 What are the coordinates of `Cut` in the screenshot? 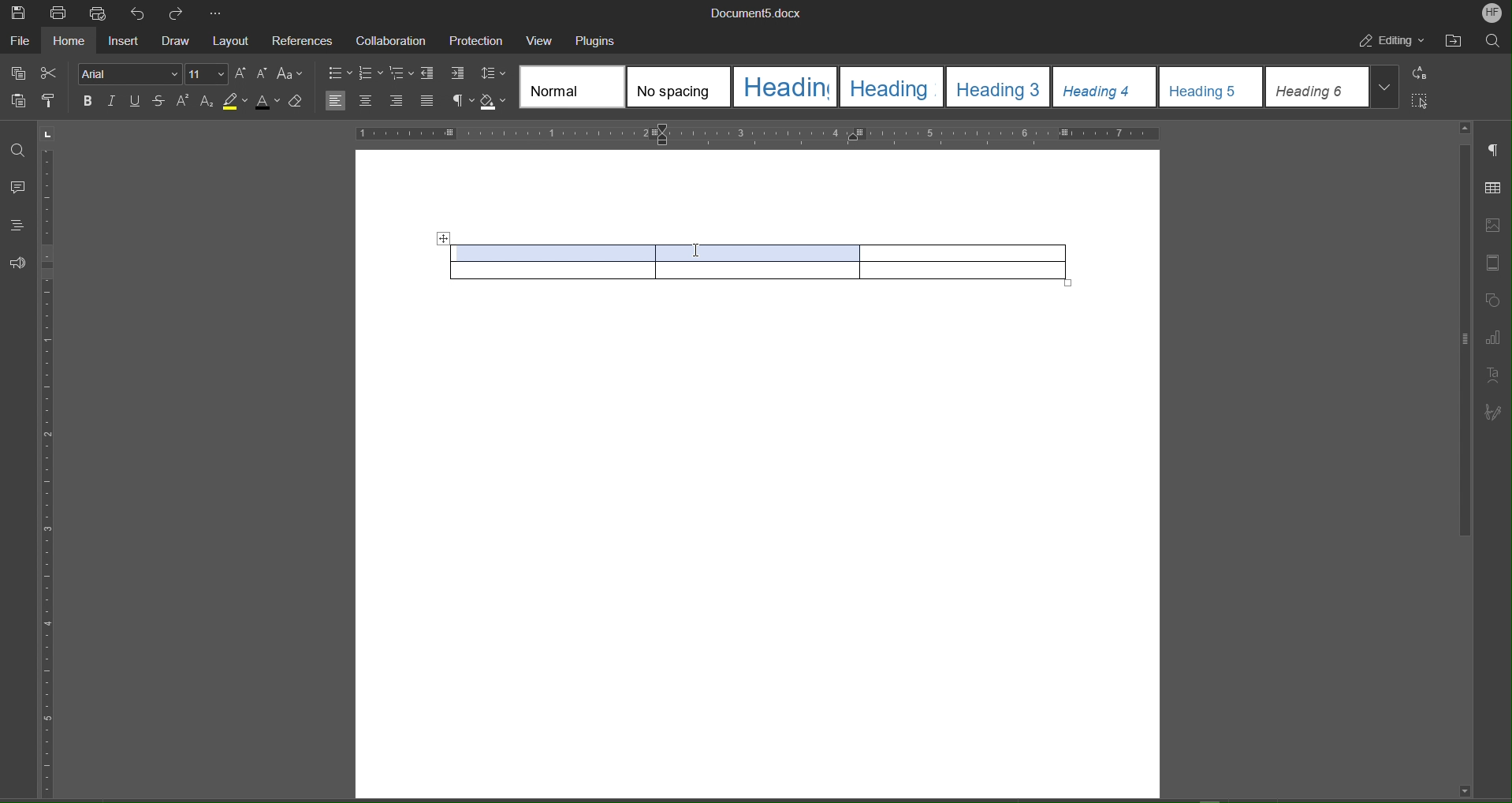 It's located at (50, 71).